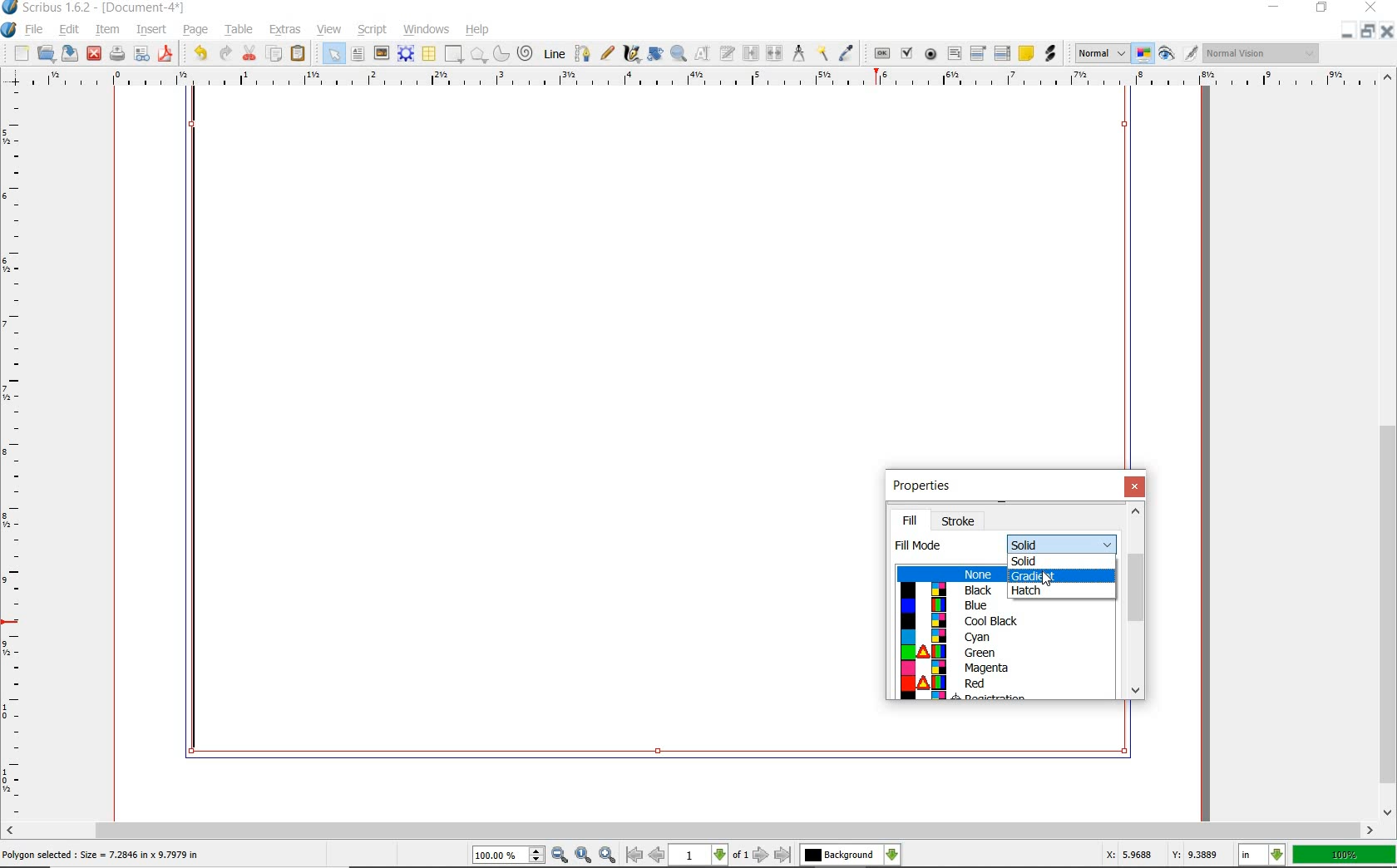  I want to click on shape, so click(454, 55).